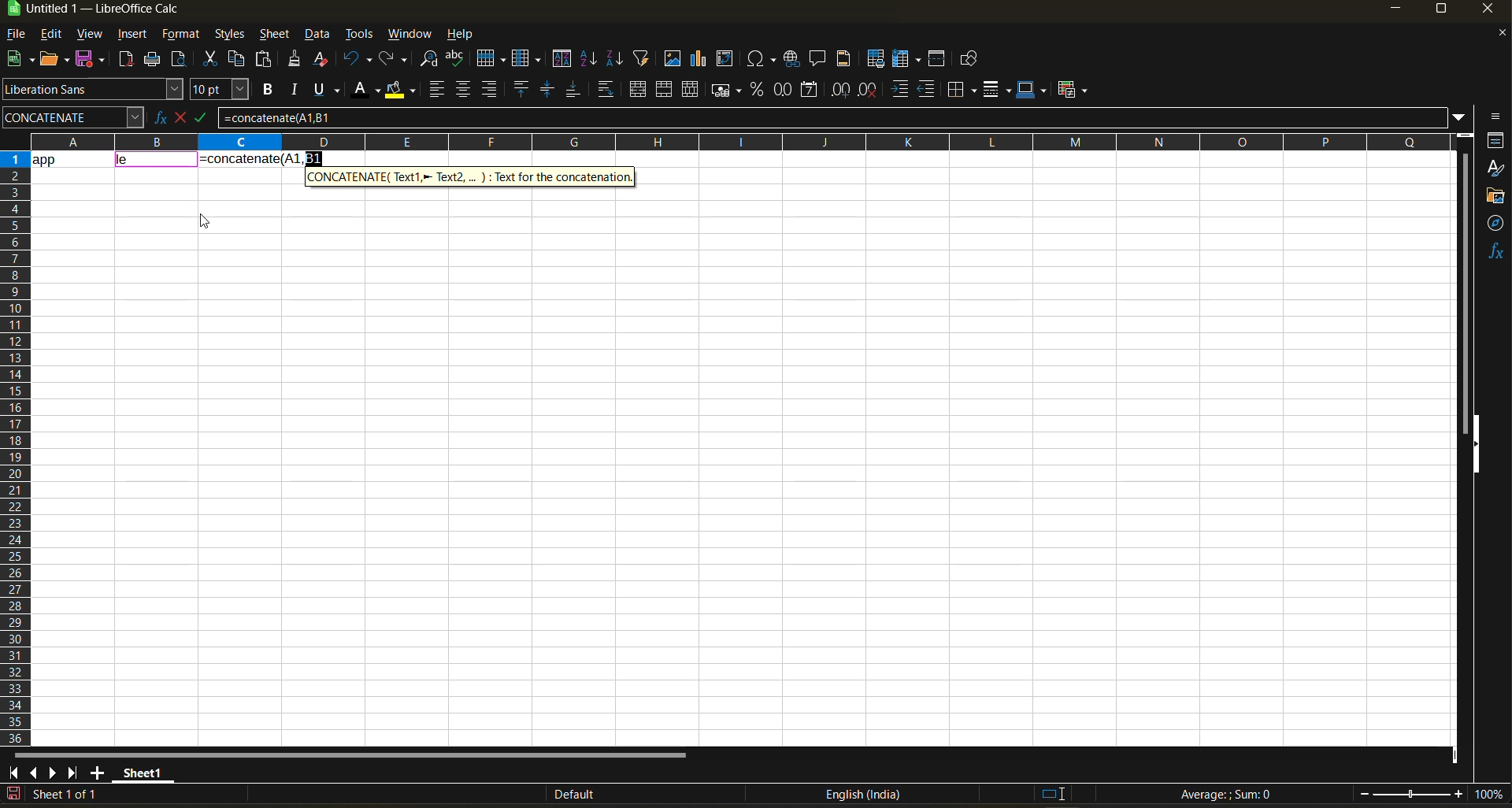  Describe the element at coordinates (18, 60) in the screenshot. I see `new` at that location.